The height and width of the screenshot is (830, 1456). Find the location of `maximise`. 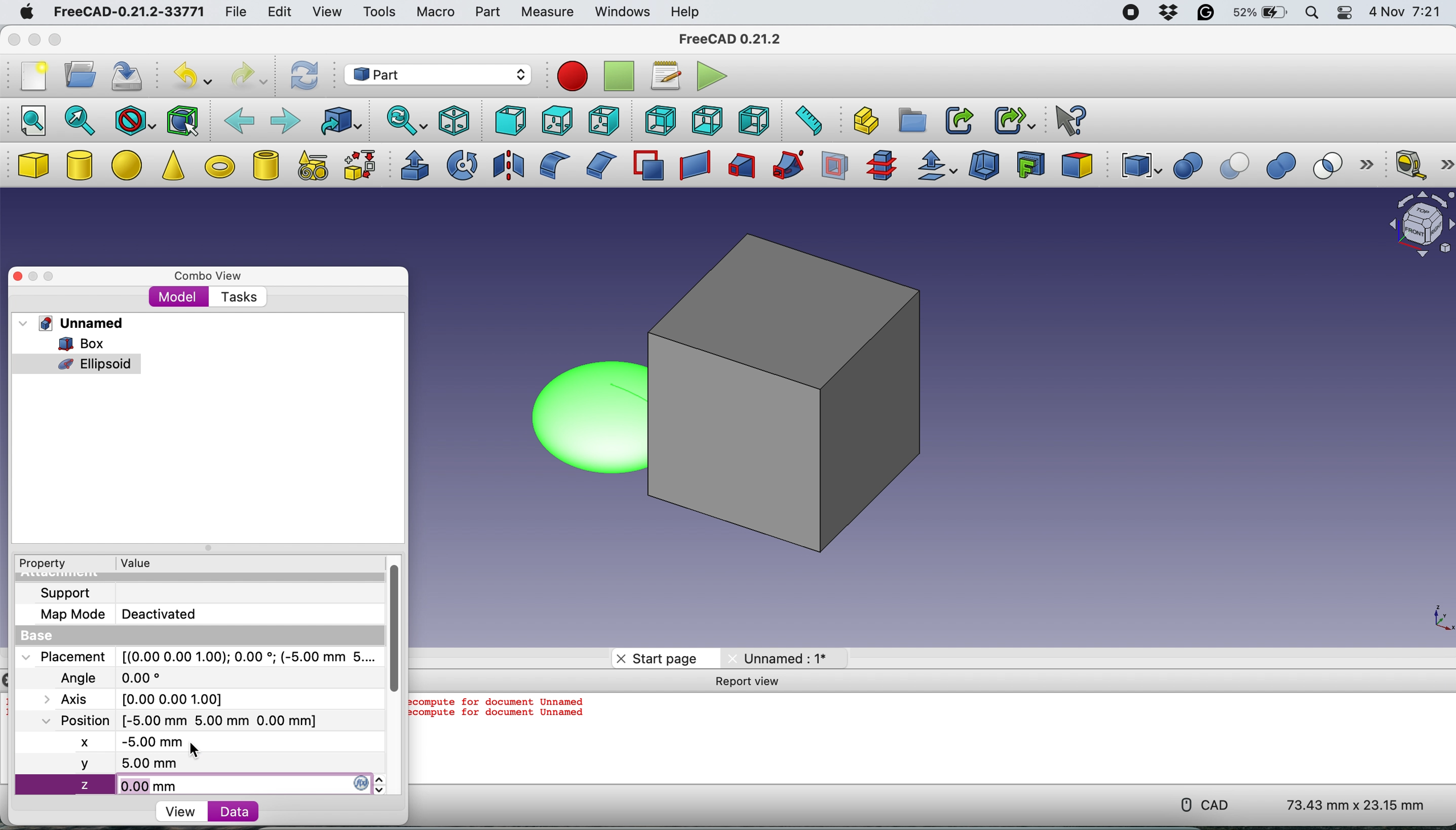

maximise is located at coordinates (55, 40).